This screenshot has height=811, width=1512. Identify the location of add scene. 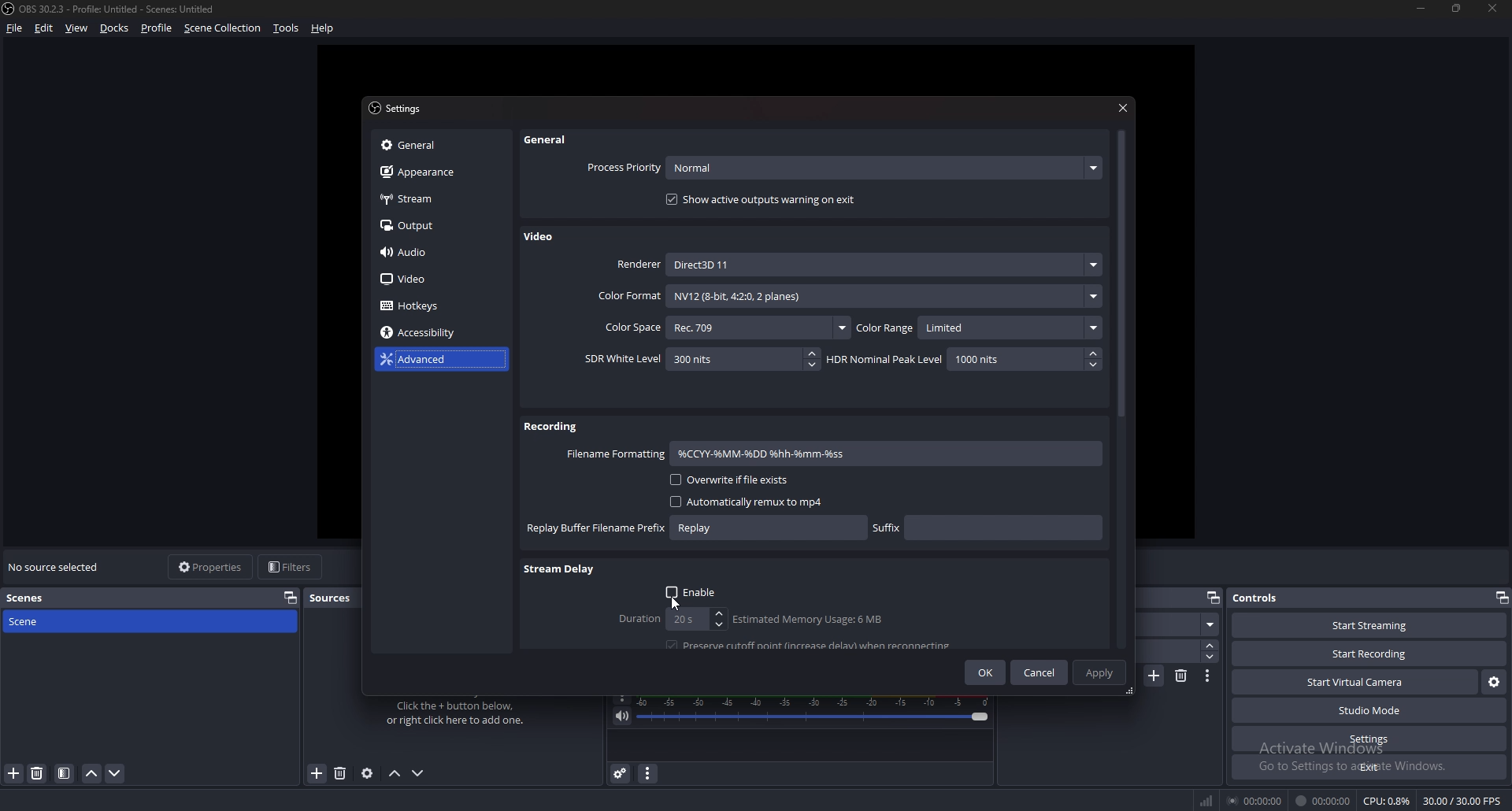
(13, 774).